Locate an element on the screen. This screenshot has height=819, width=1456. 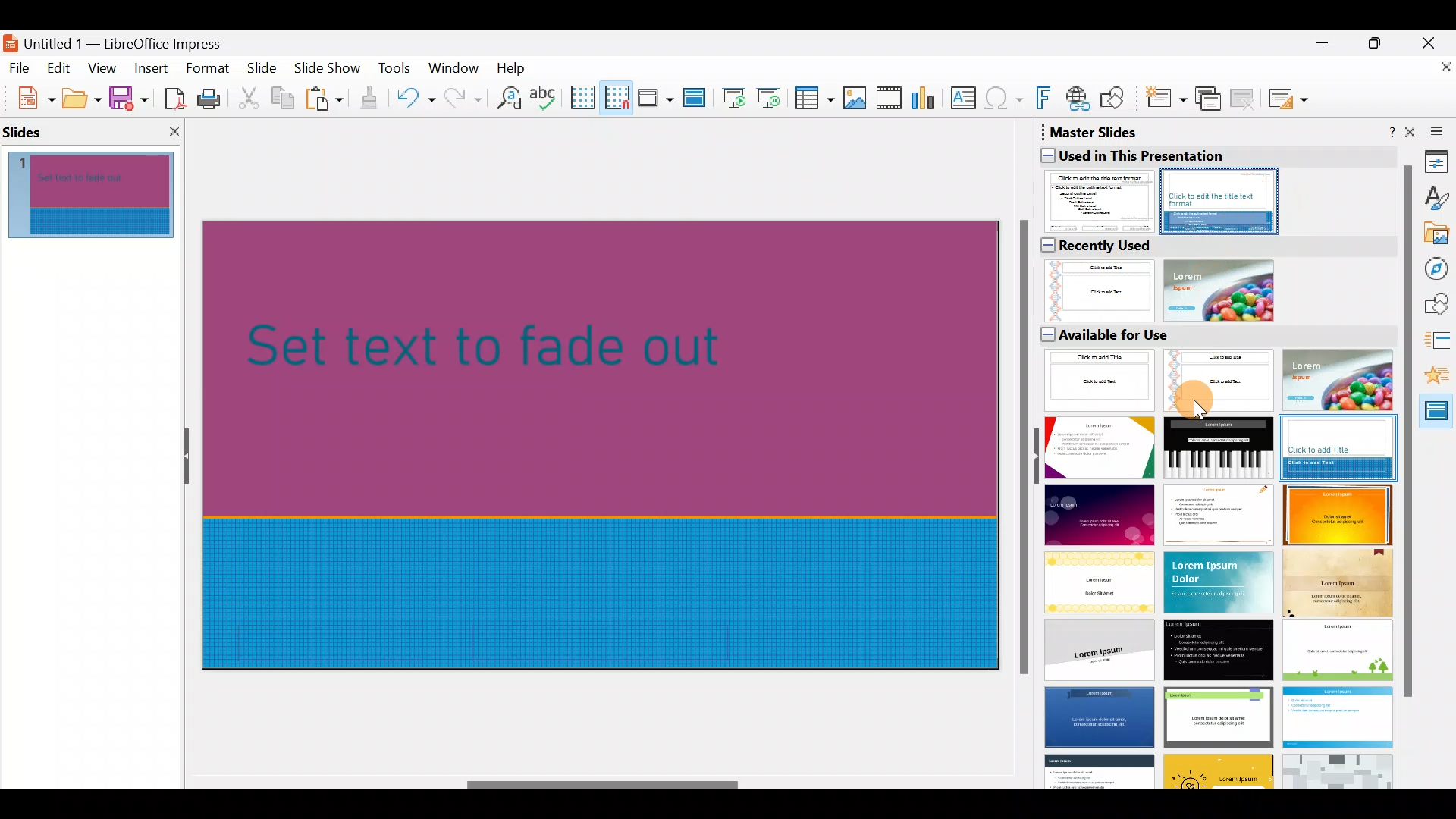
Slide transition is located at coordinates (1441, 343).